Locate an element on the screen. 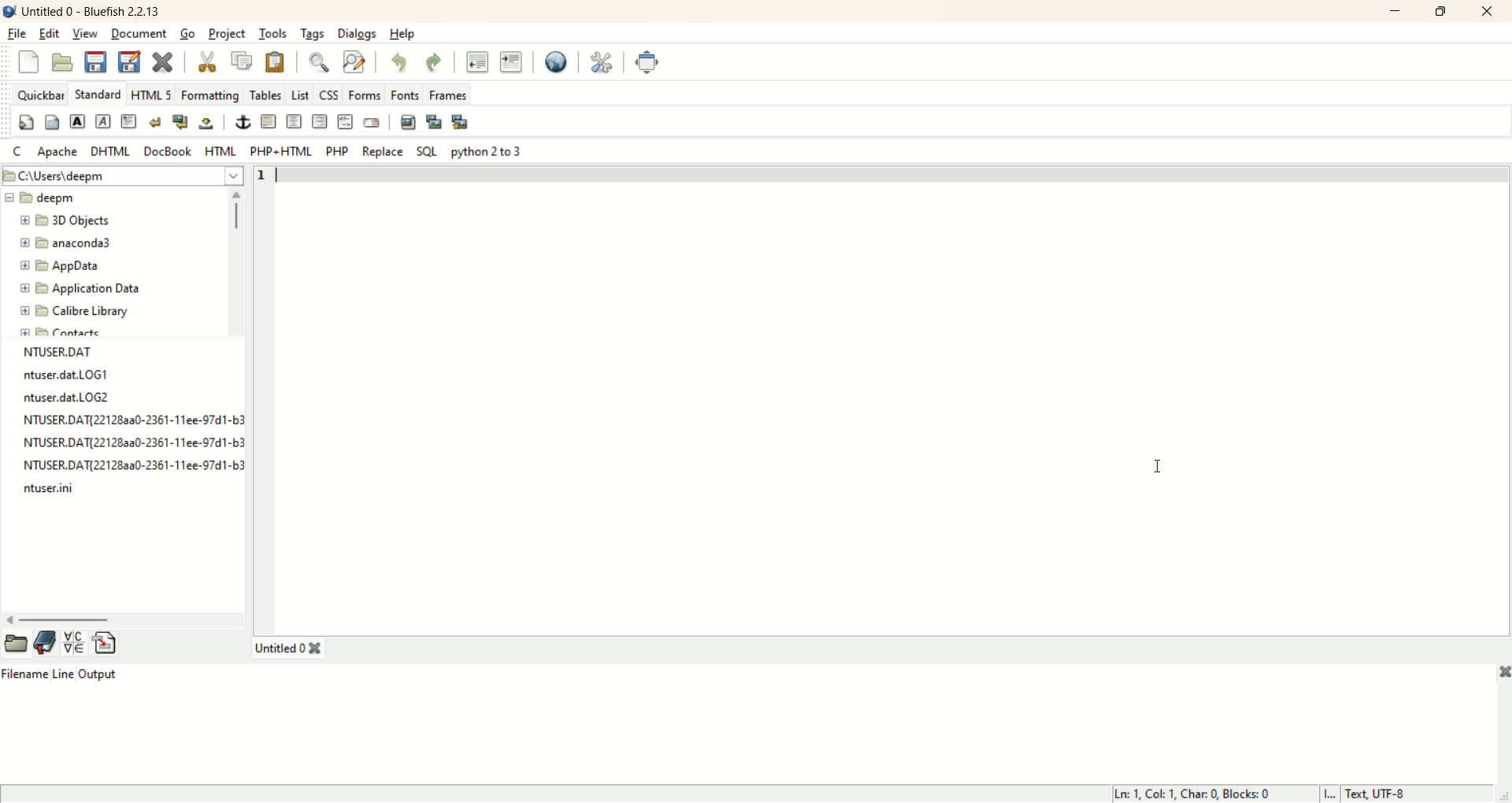 This screenshot has width=1512, height=803. fullscreen is located at coordinates (643, 62).